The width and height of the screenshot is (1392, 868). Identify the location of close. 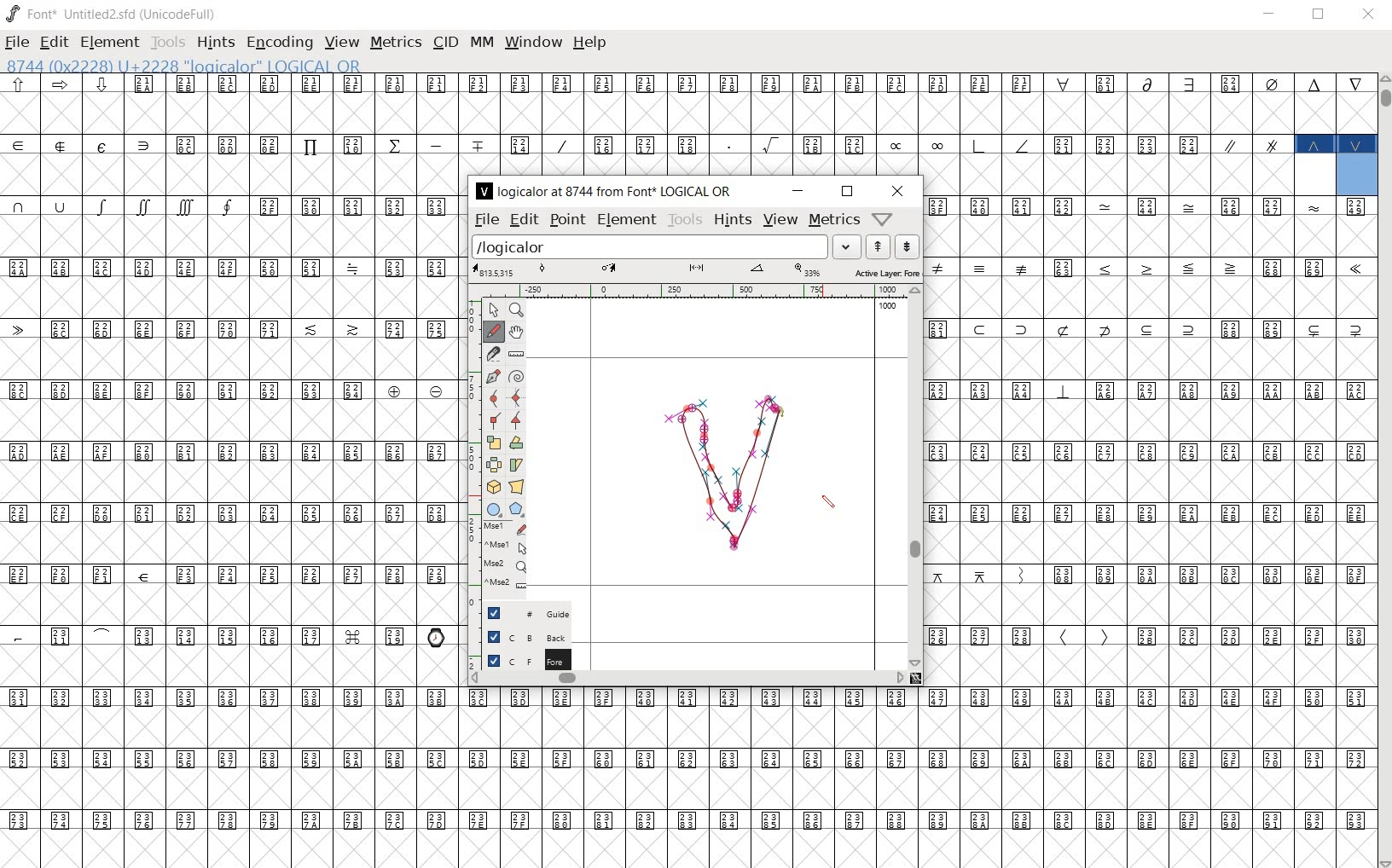
(896, 193).